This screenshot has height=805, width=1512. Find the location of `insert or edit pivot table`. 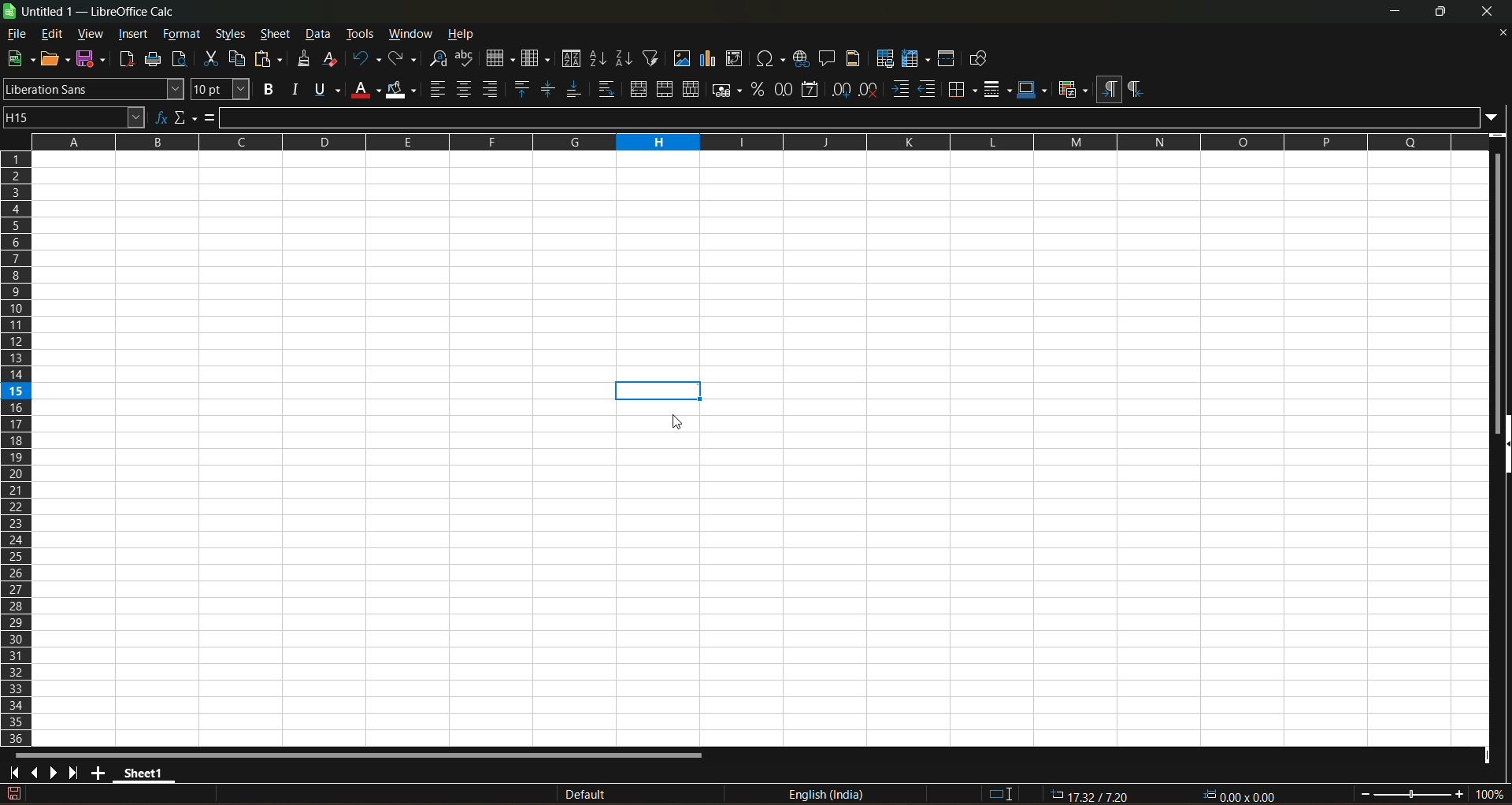

insert or edit pivot table is located at coordinates (734, 59).